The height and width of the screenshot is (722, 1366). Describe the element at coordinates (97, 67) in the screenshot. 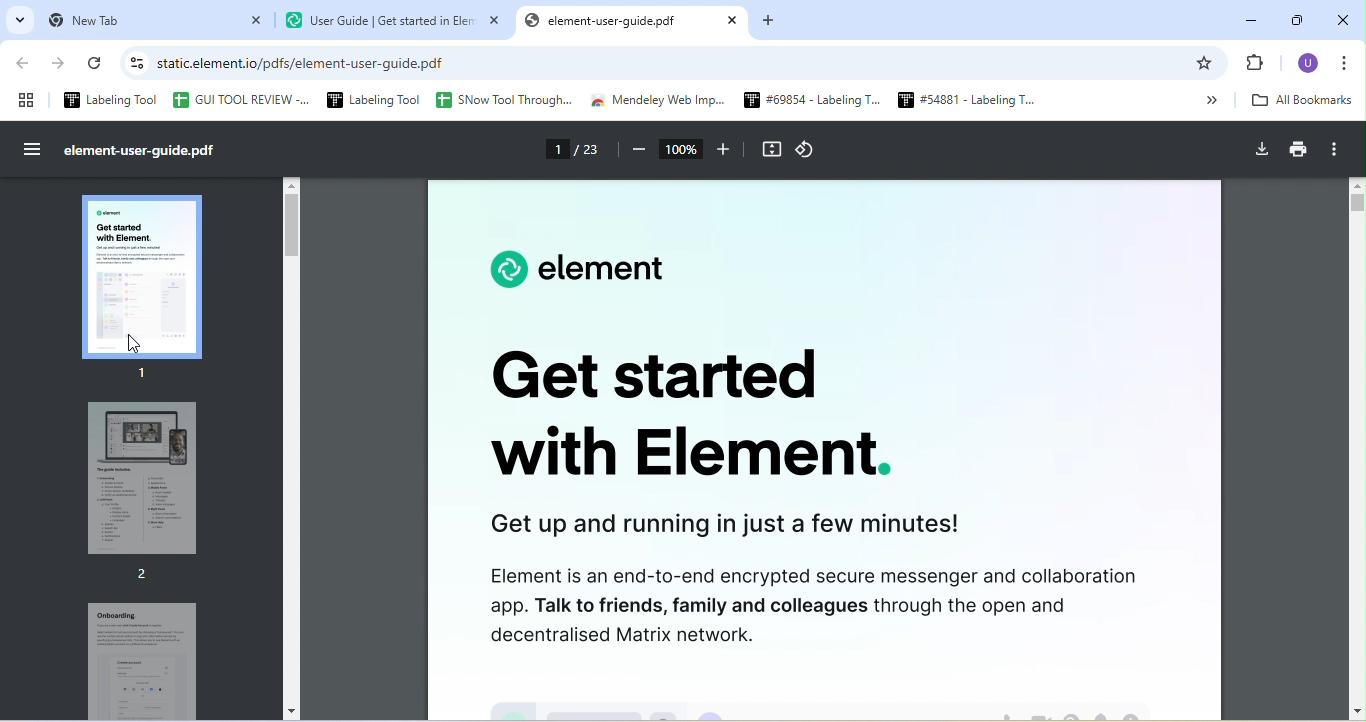

I see `reload the page` at that location.